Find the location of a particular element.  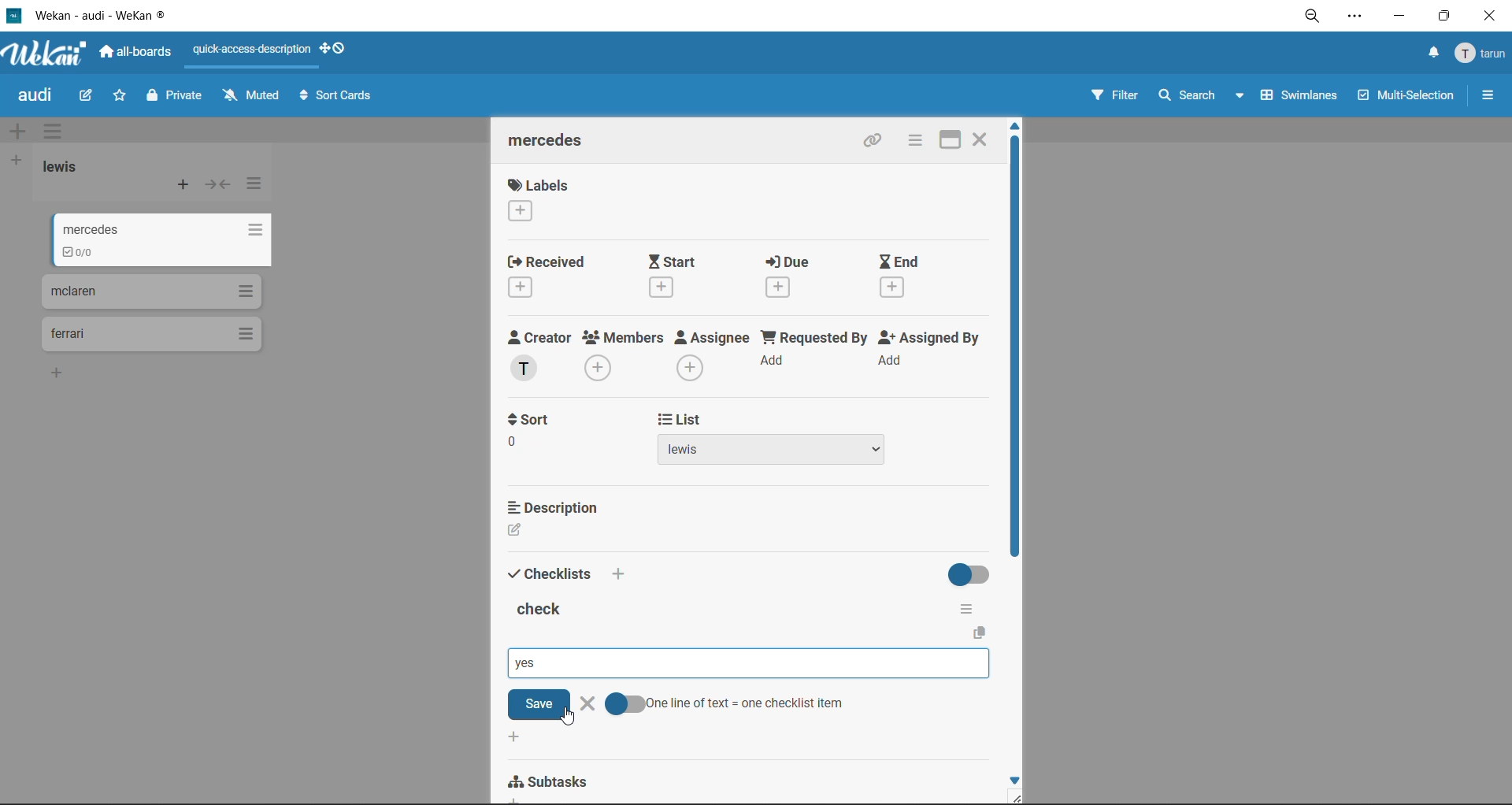

creator is located at coordinates (539, 356).